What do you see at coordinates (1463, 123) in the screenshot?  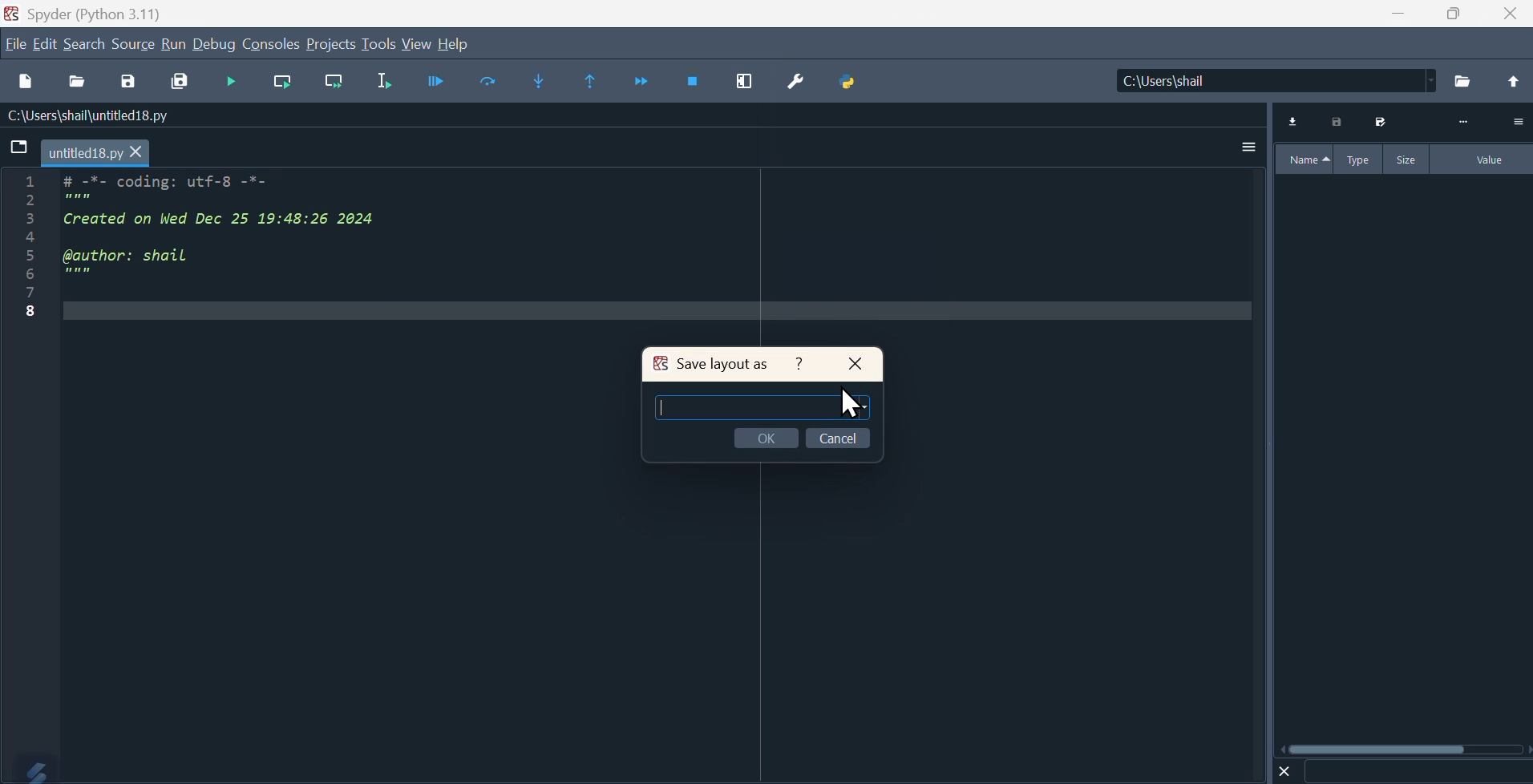 I see `More` at bounding box center [1463, 123].